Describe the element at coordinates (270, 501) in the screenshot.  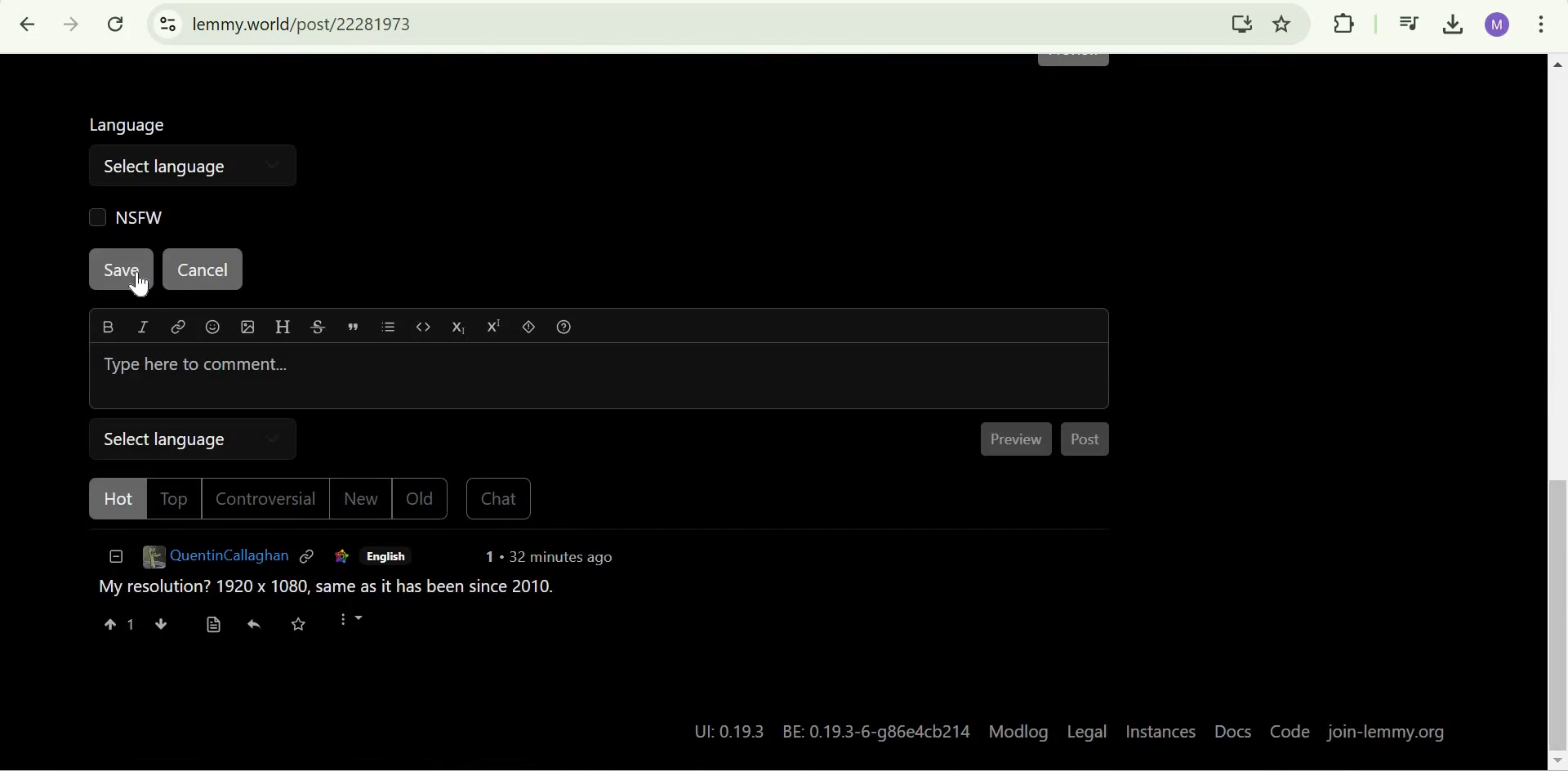
I see `Controversial` at that location.